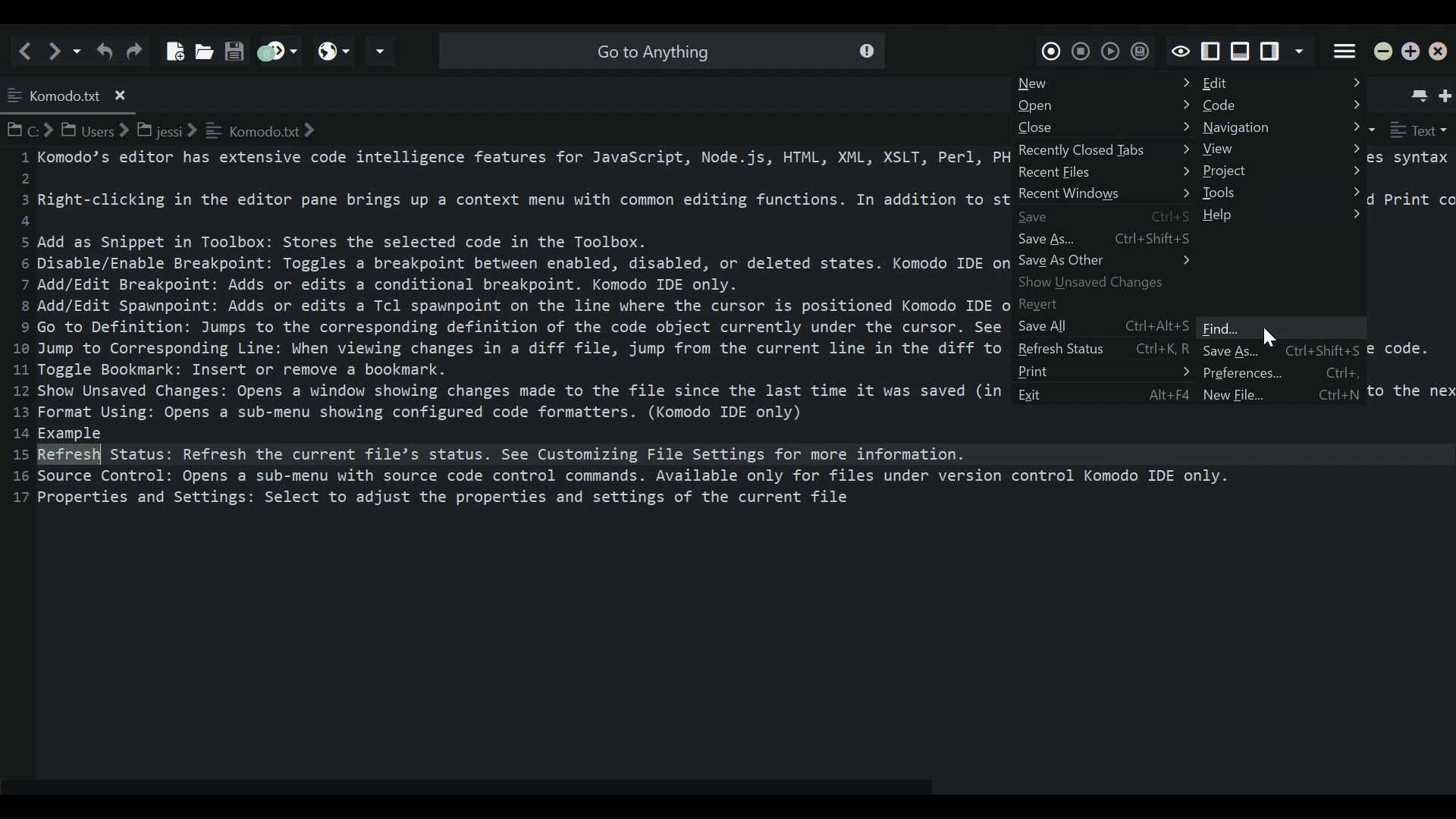 Image resolution: width=1456 pixels, height=819 pixels. What do you see at coordinates (172, 45) in the screenshot?
I see `New File` at bounding box center [172, 45].